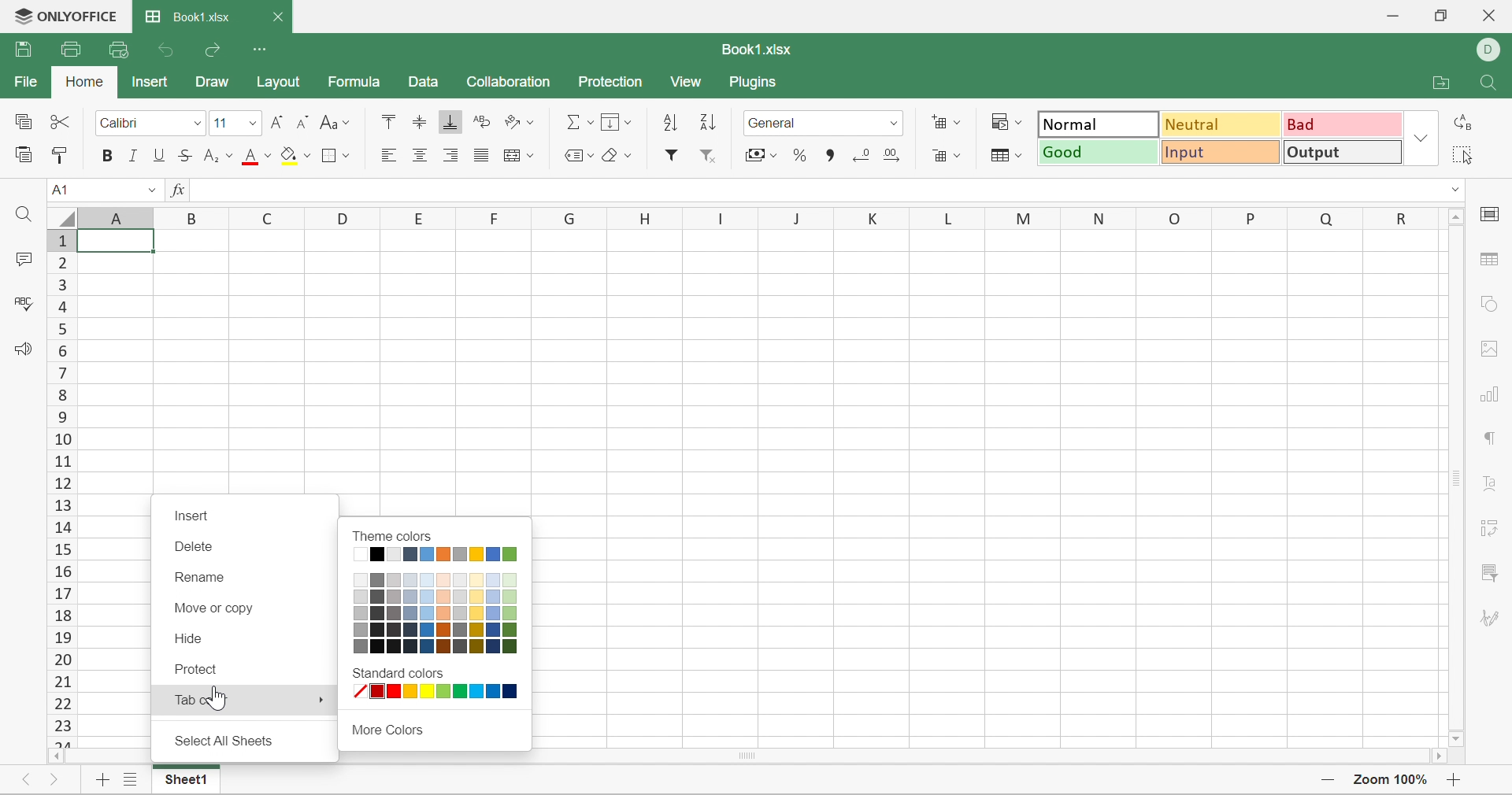 Image resolution: width=1512 pixels, height=795 pixels. I want to click on B, so click(195, 216).